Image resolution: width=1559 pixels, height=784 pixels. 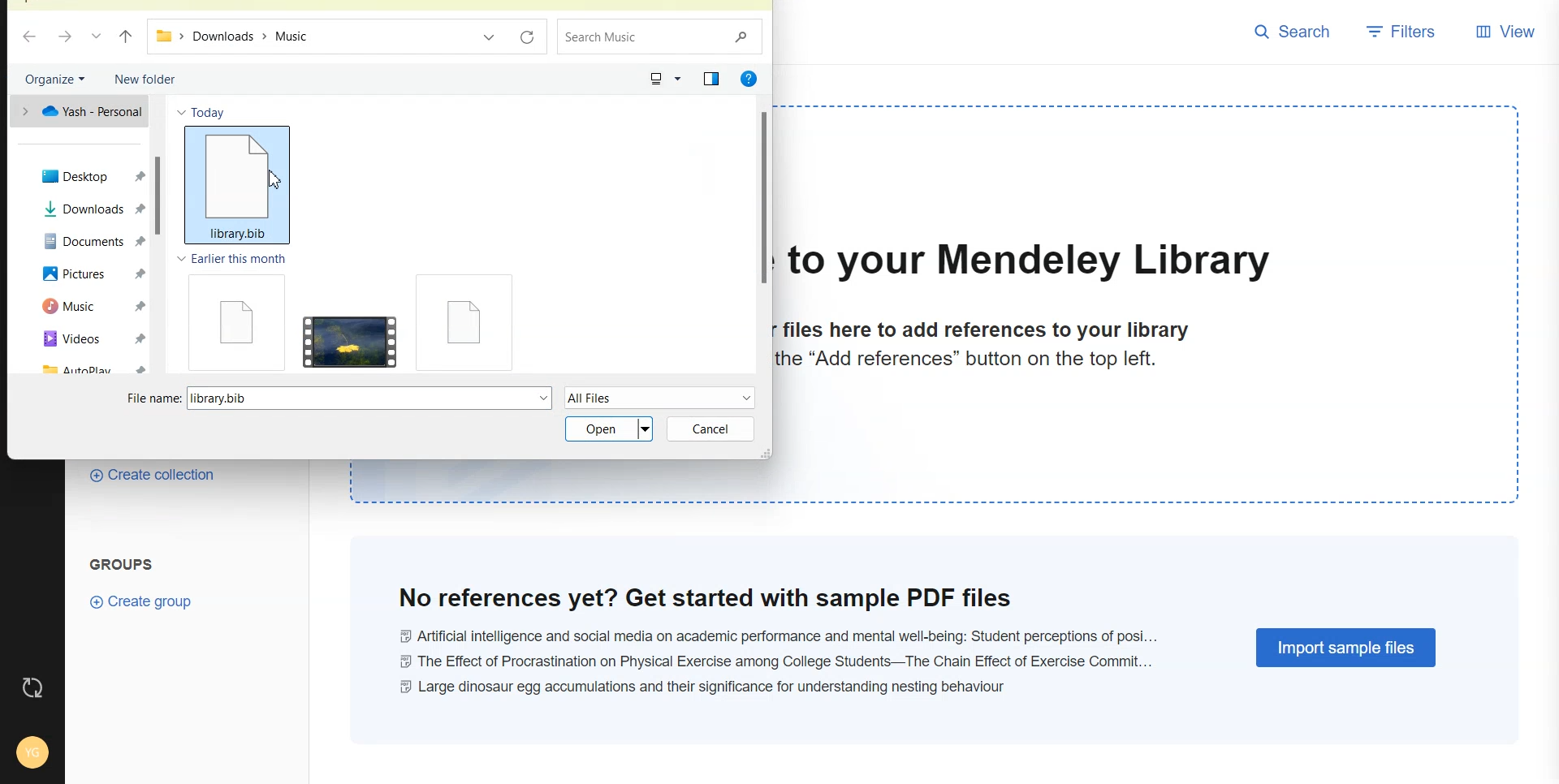 What do you see at coordinates (127, 36) in the screenshot?
I see `Upto` at bounding box center [127, 36].